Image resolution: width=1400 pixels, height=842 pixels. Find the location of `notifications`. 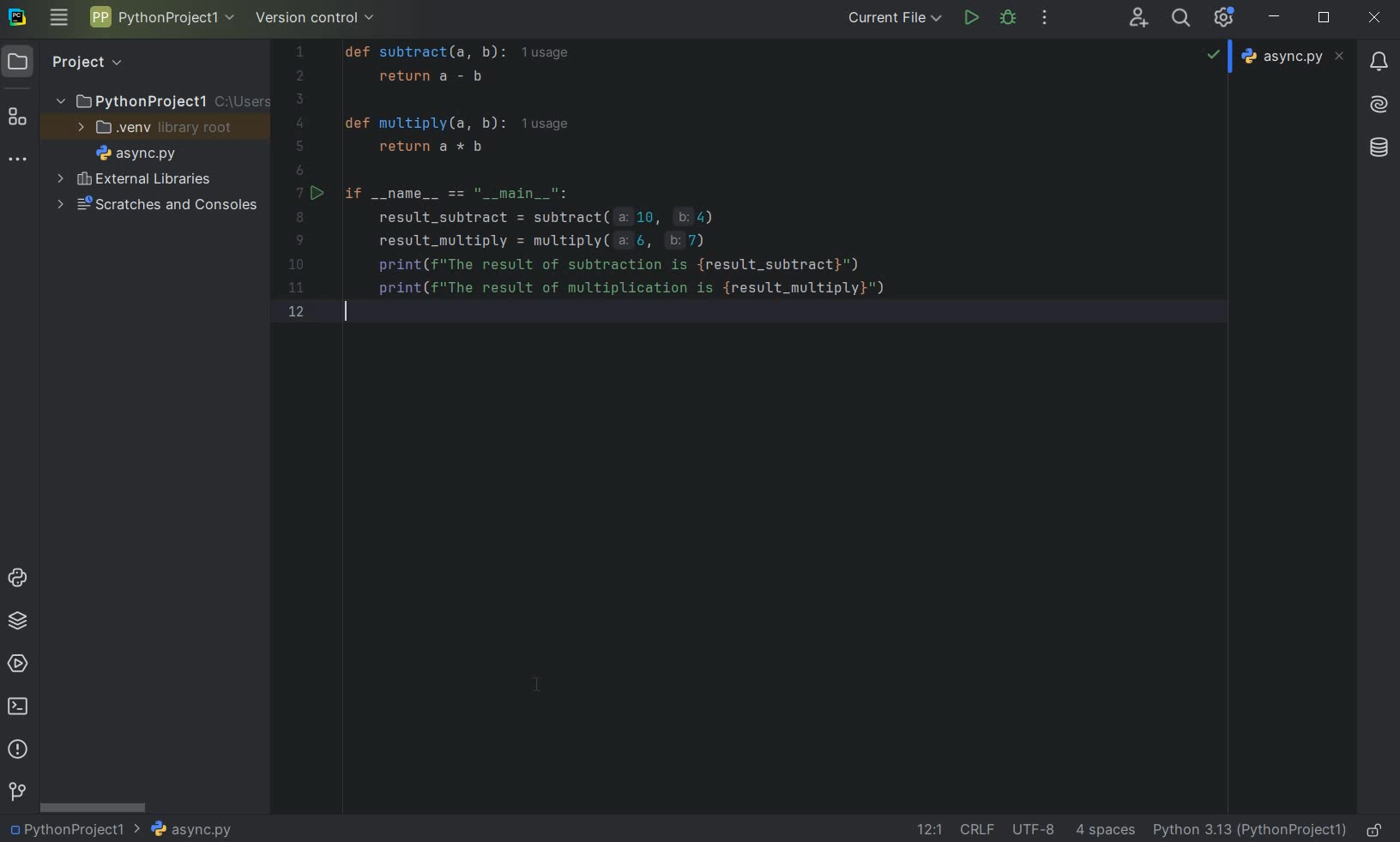

notifications is located at coordinates (1377, 62).